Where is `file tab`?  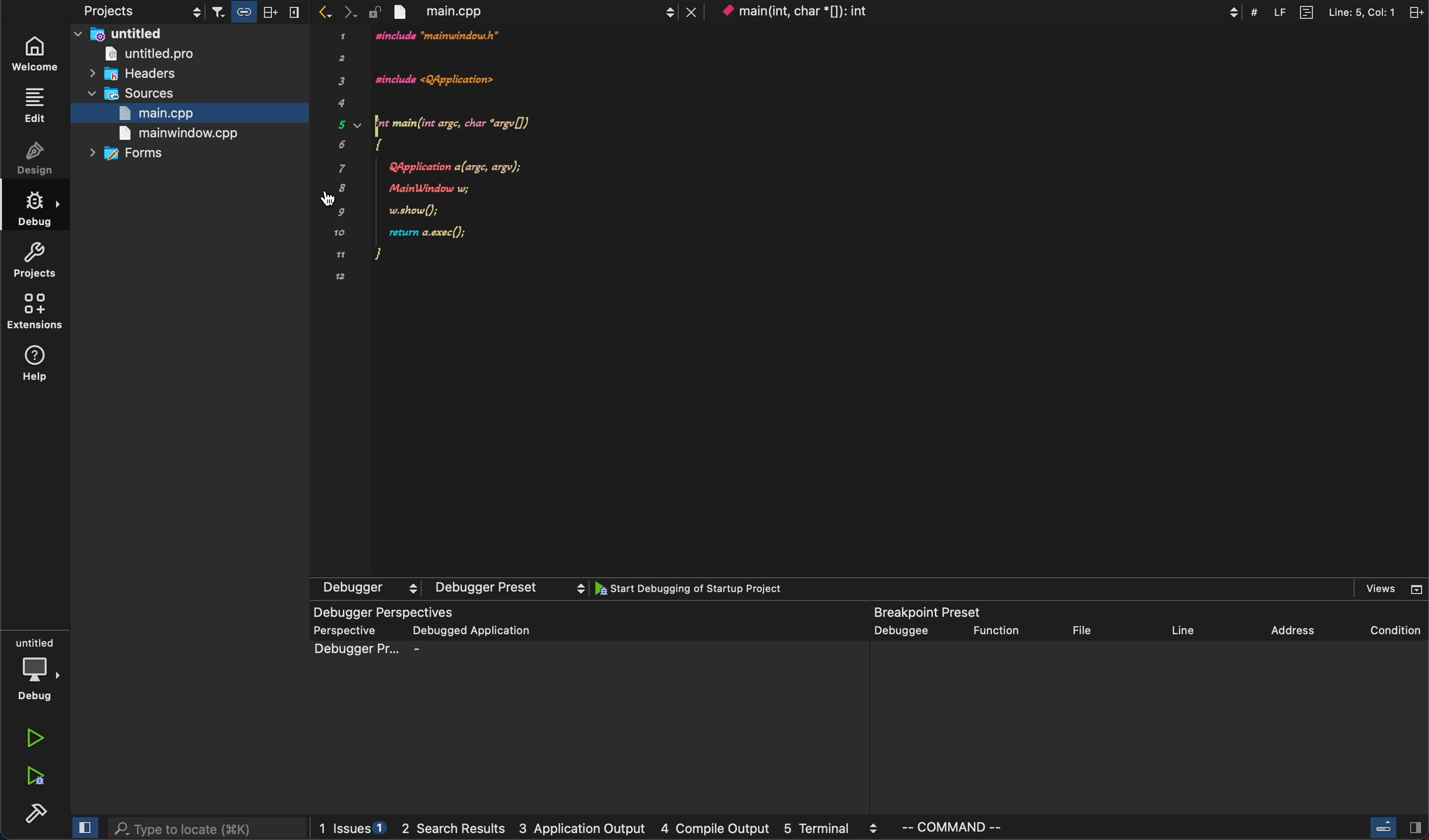
file tab is located at coordinates (543, 12).